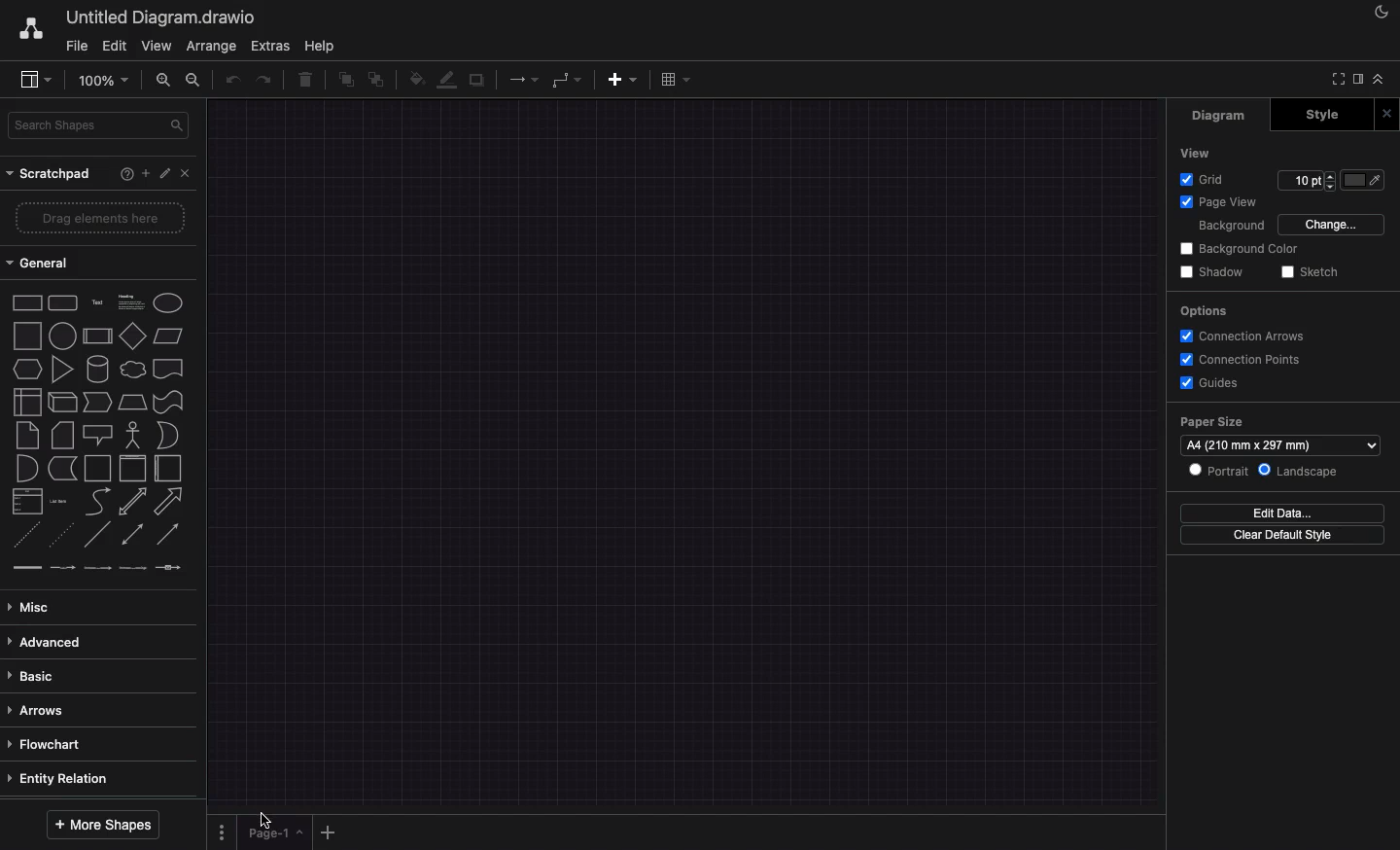 This screenshot has height=850, width=1400. Describe the element at coordinates (157, 45) in the screenshot. I see `view` at that location.